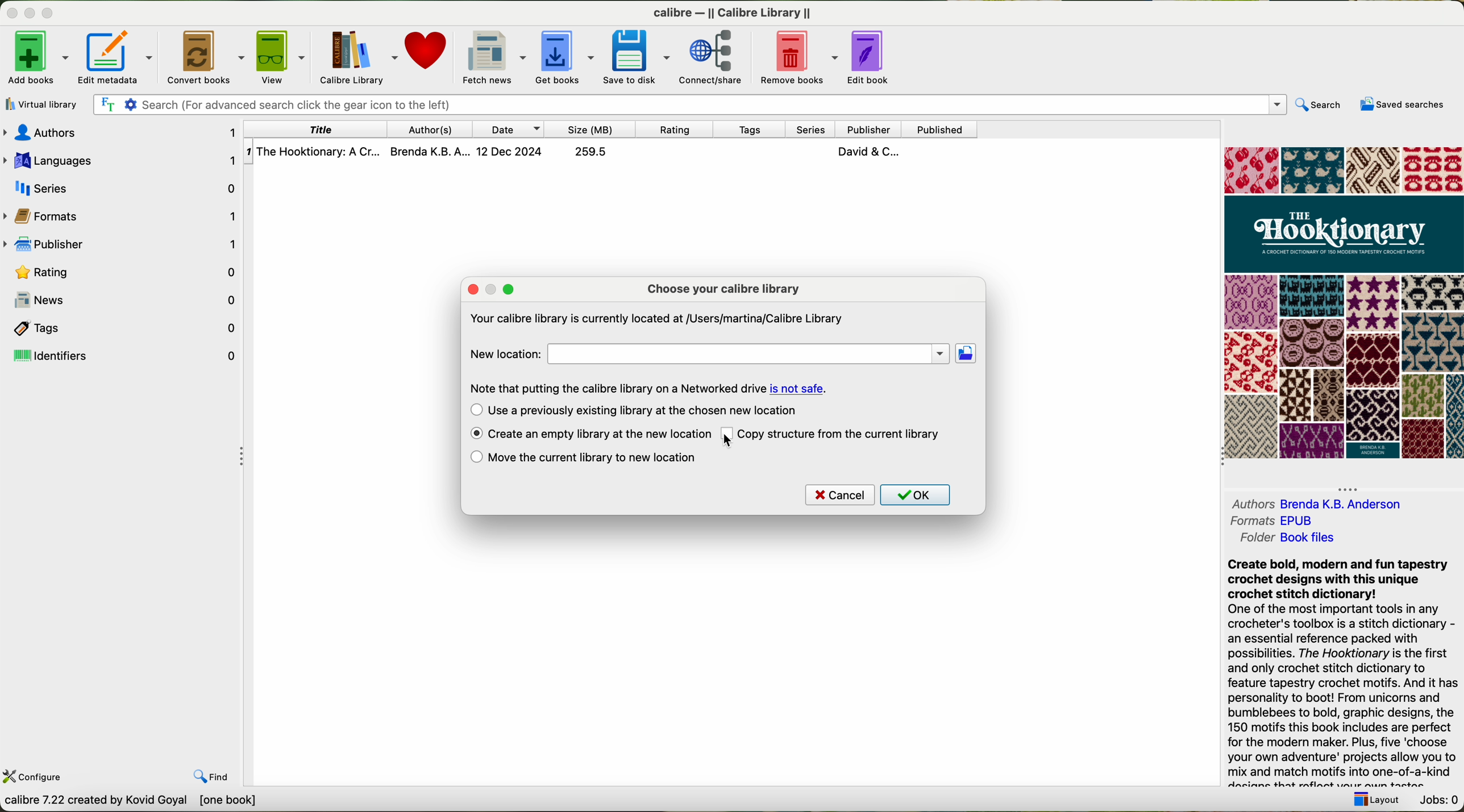  I want to click on calibre — || Calibre Library ||, so click(731, 11).